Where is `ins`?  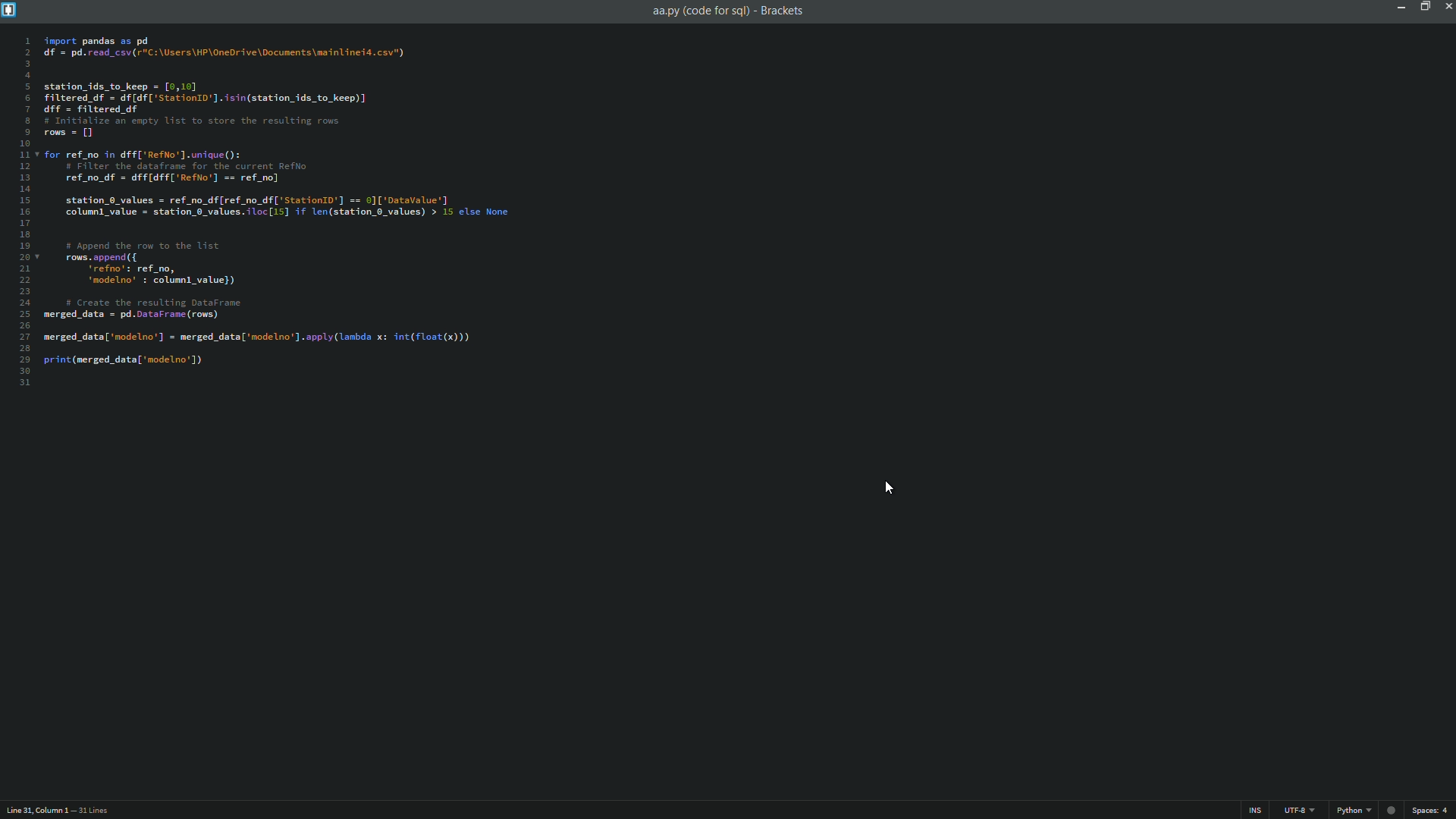 ins is located at coordinates (1254, 811).